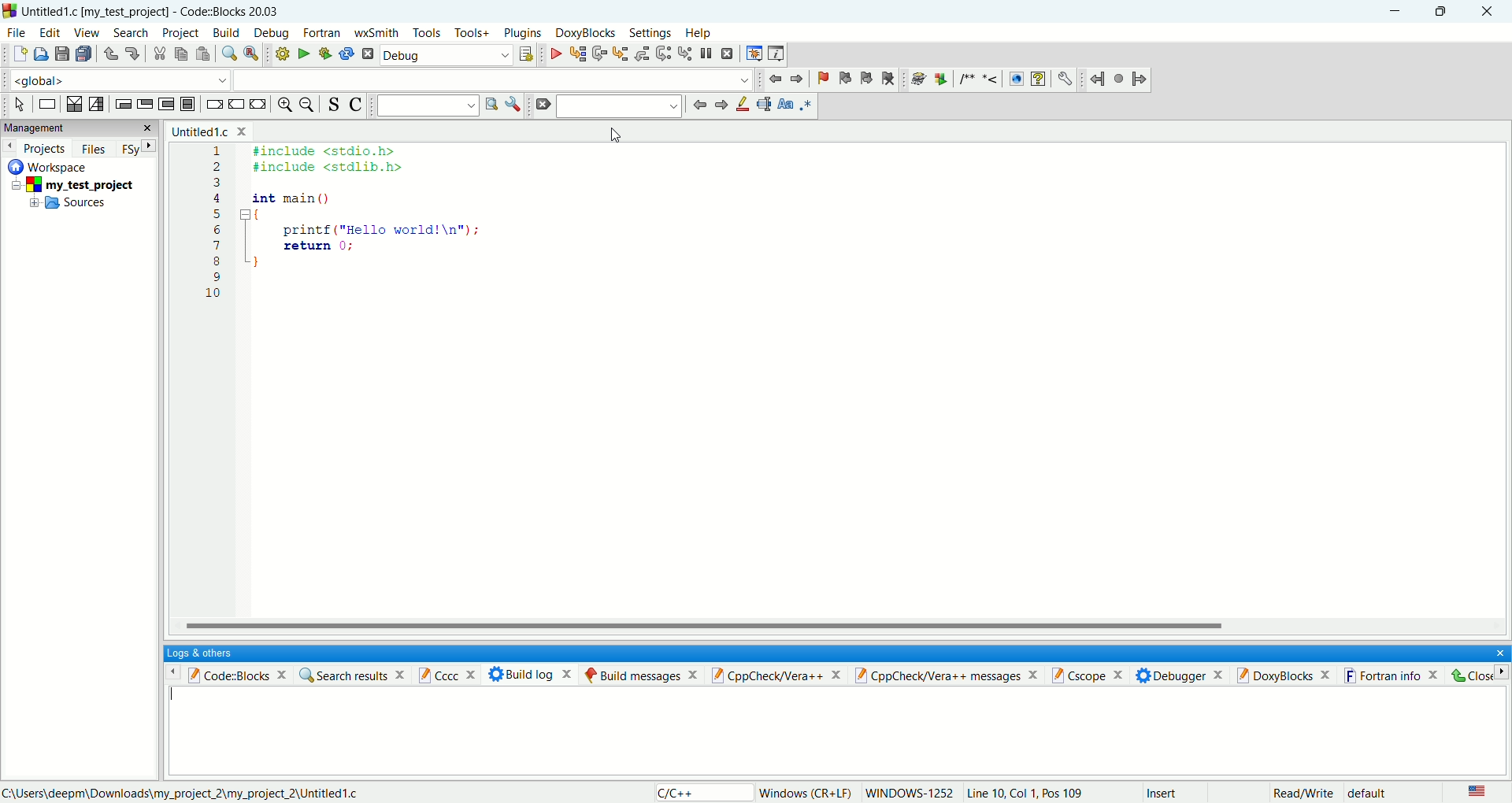 This screenshot has height=803, width=1512. I want to click on step into, so click(621, 53).